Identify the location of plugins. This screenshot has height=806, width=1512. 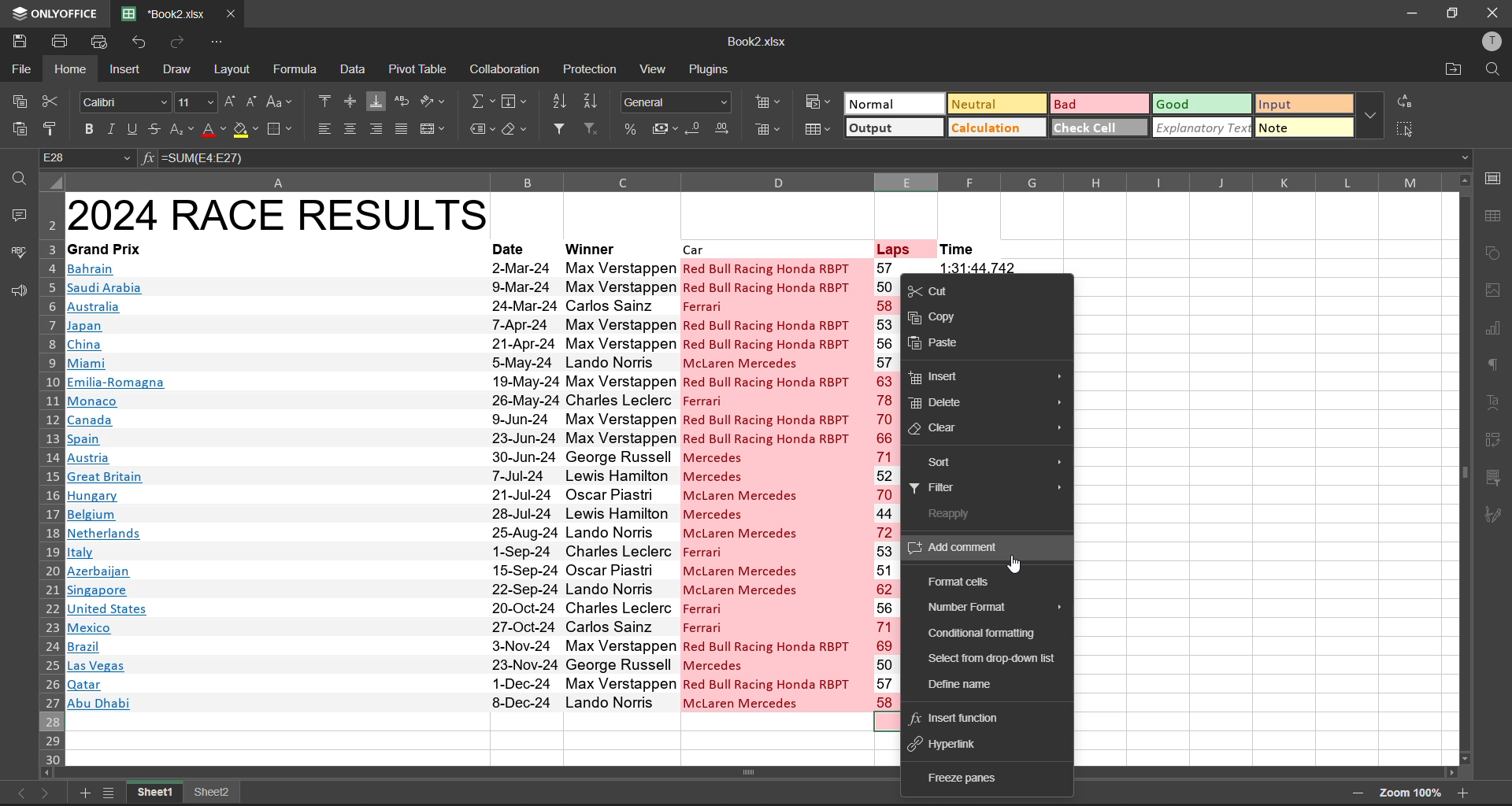
(713, 71).